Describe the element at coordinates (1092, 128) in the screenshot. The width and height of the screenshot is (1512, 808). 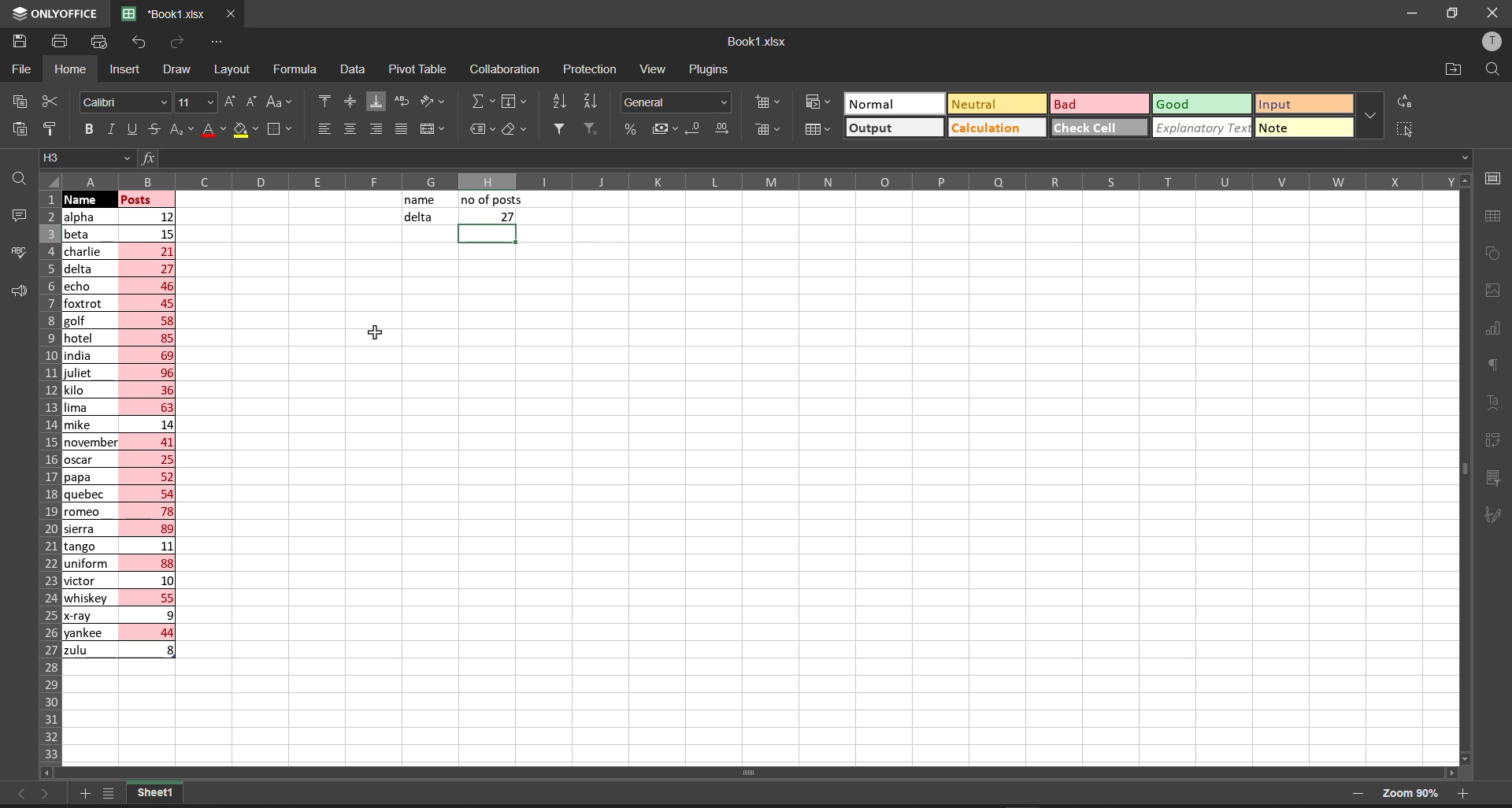
I see `check cell` at that location.